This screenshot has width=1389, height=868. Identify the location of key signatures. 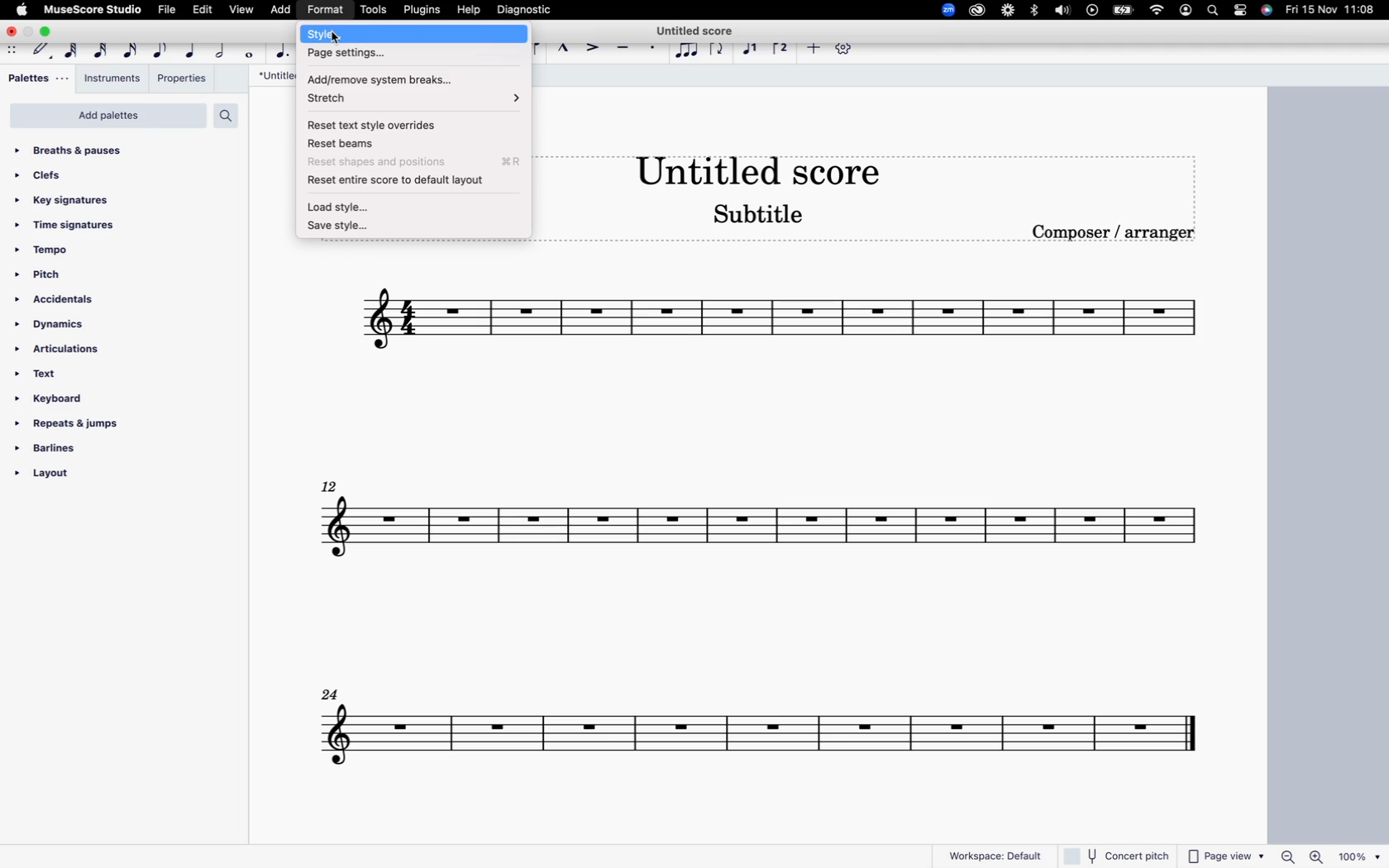
(69, 200).